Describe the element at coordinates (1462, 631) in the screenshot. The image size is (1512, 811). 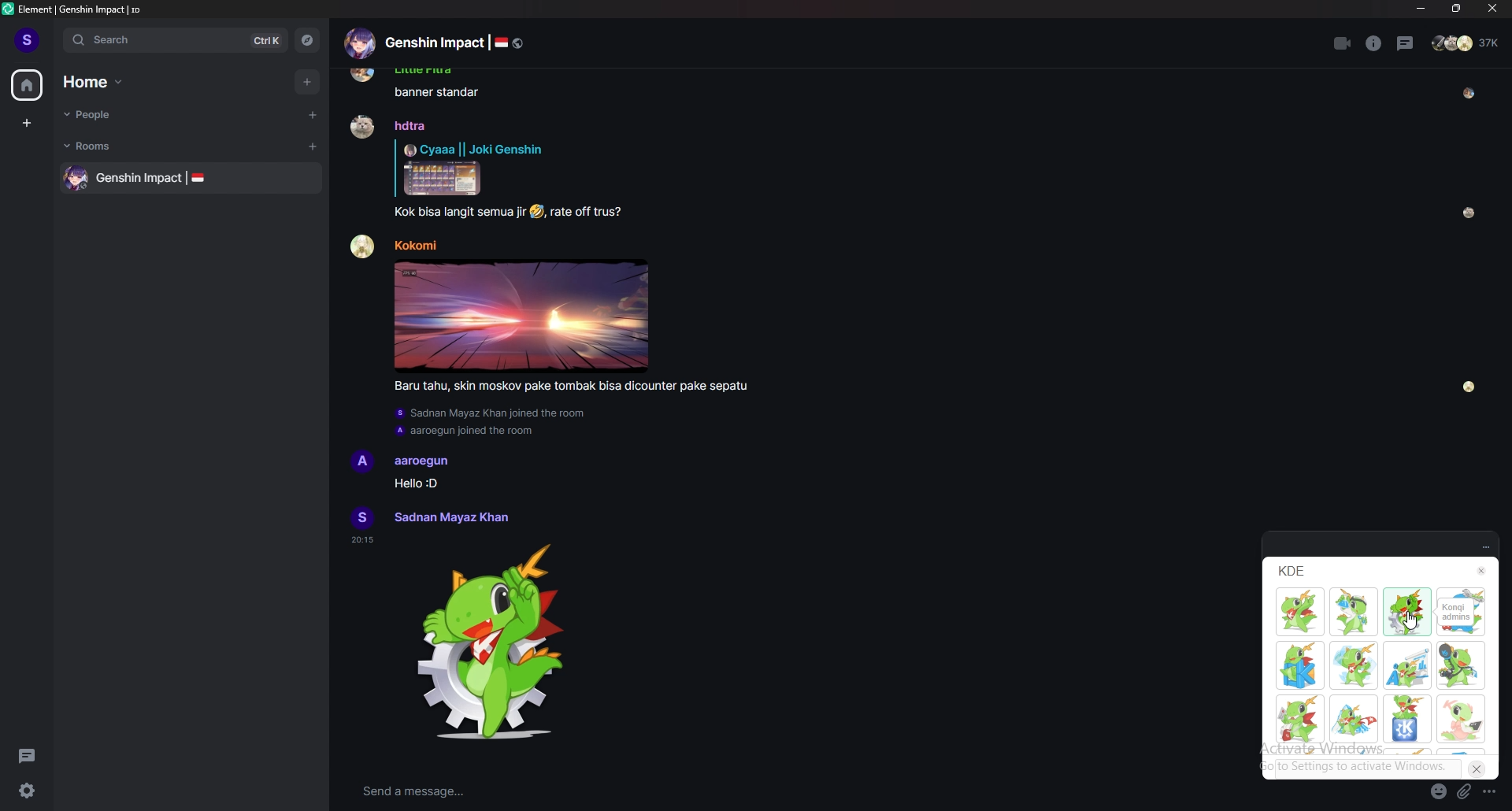
I see `Kongi fixes stuff` at that location.